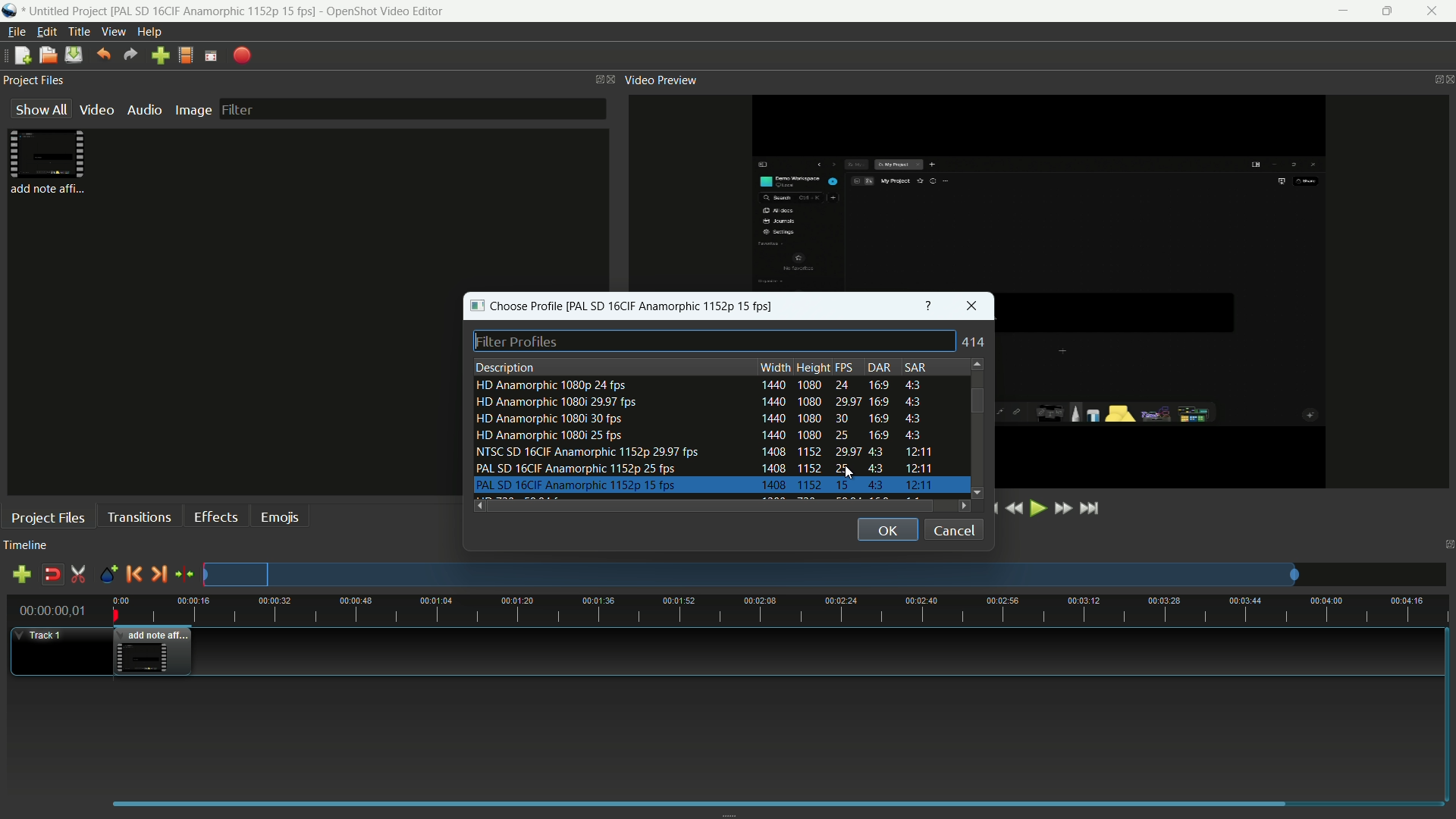 The width and height of the screenshot is (1456, 819). I want to click on image, so click(190, 111).